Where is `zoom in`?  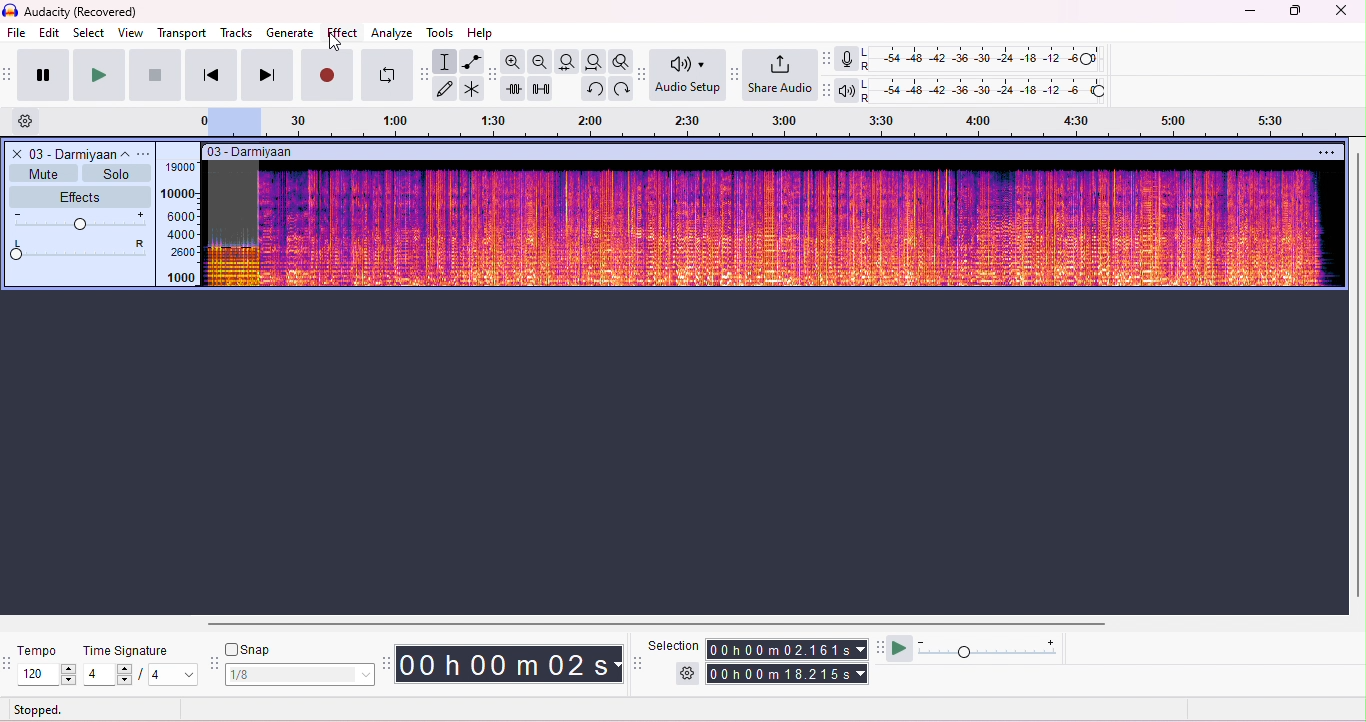 zoom in is located at coordinates (512, 61).